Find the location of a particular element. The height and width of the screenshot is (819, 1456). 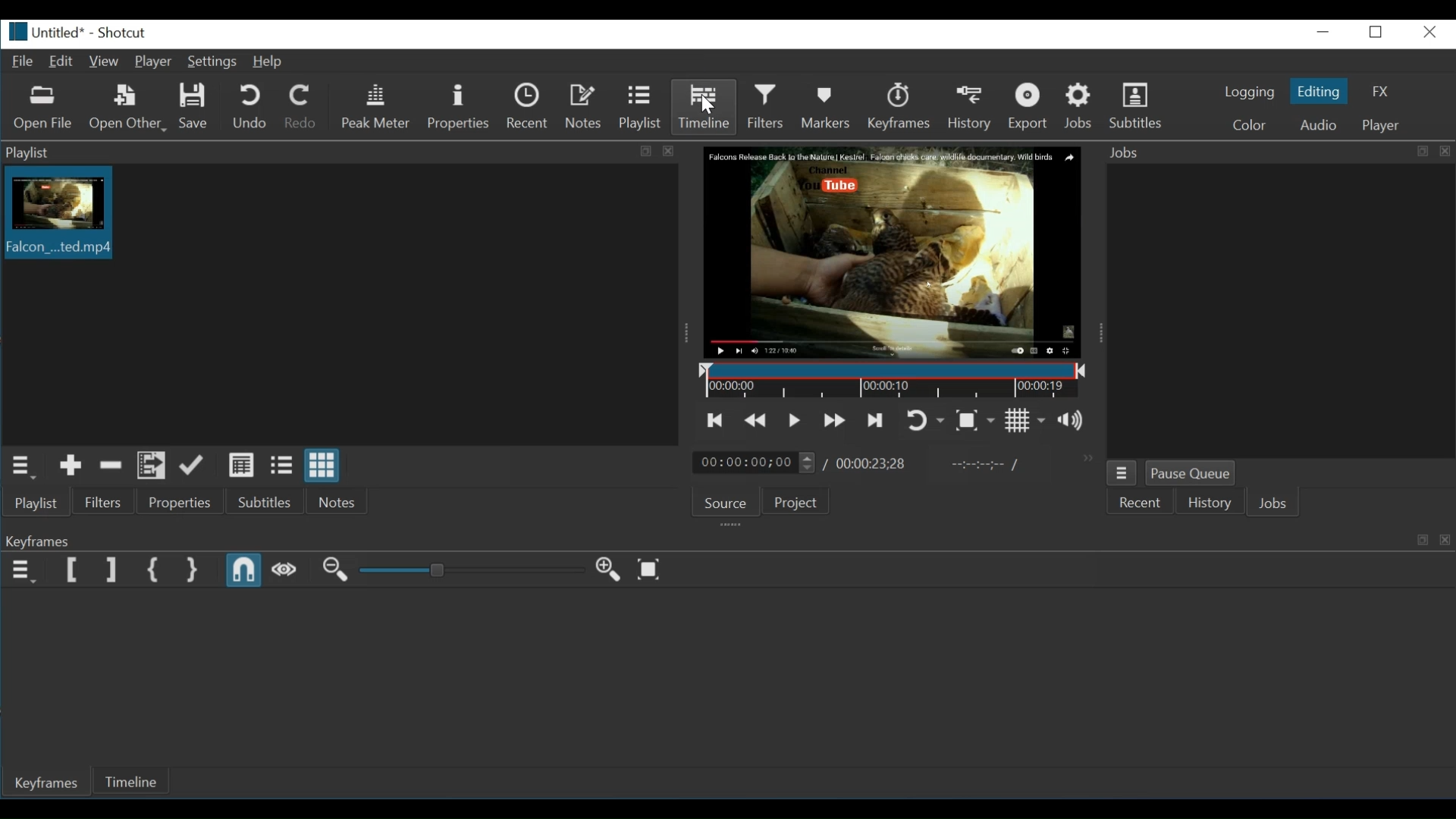

Player is located at coordinates (153, 62).